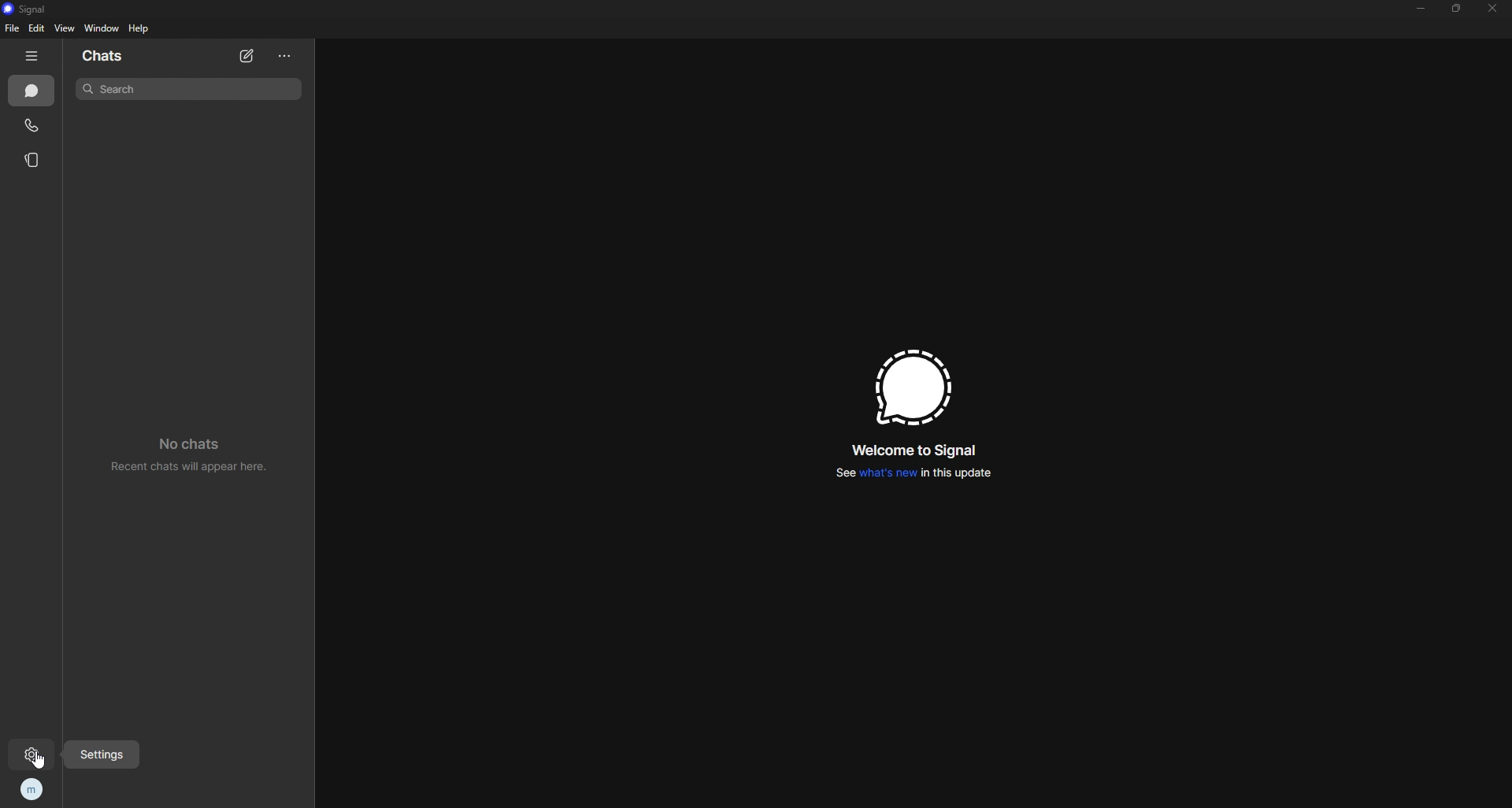 This screenshot has height=808, width=1512. Describe the element at coordinates (191, 88) in the screenshot. I see `search` at that location.